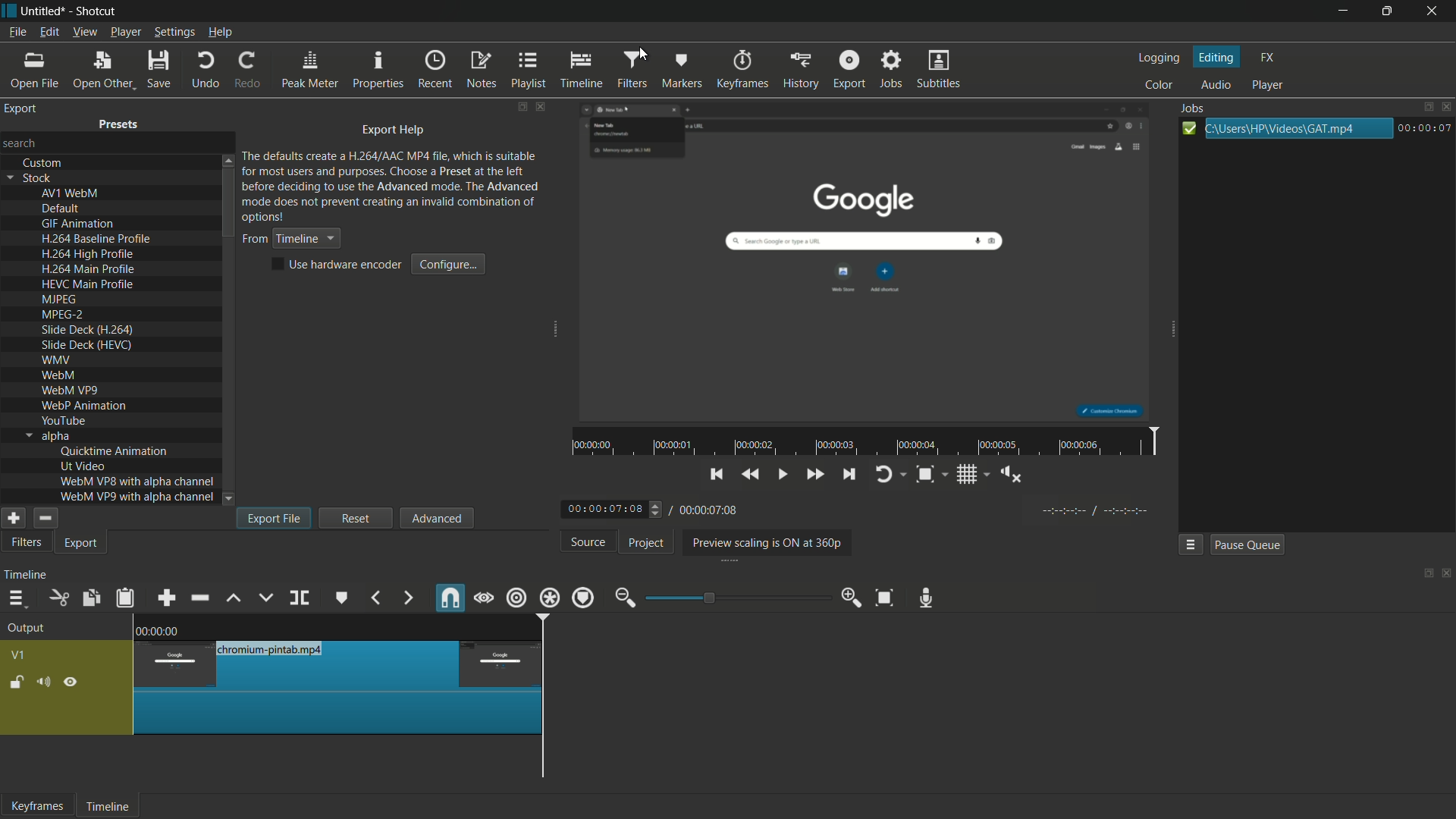  What do you see at coordinates (1447, 106) in the screenshot?
I see `close jobs` at bounding box center [1447, 106].